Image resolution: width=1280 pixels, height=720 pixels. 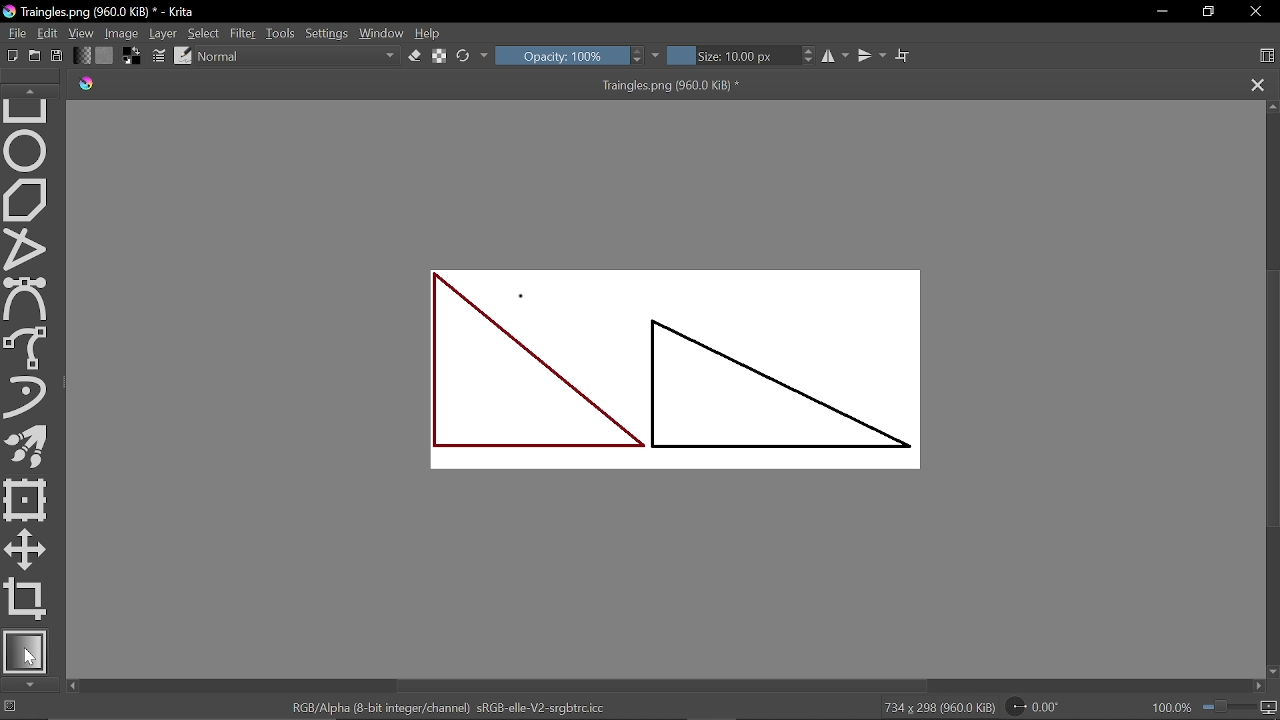 What do you see at coordinates (26, 251) in the screenshot?
I see `Polyline tool` at bounding box center [26, 251].